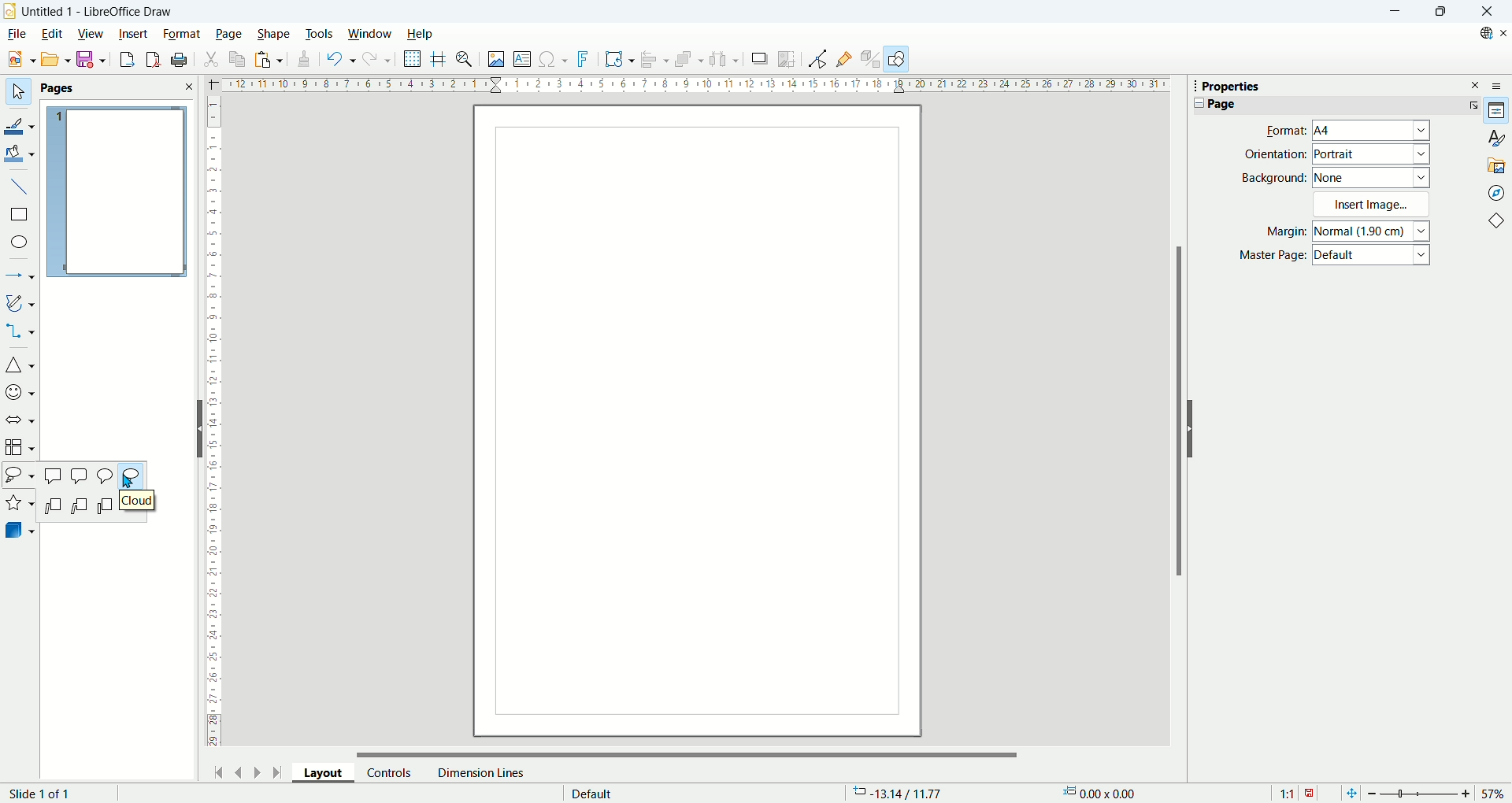  Describe the element at coordinates (54, 59) in the screenshot. I see `open` at that location.